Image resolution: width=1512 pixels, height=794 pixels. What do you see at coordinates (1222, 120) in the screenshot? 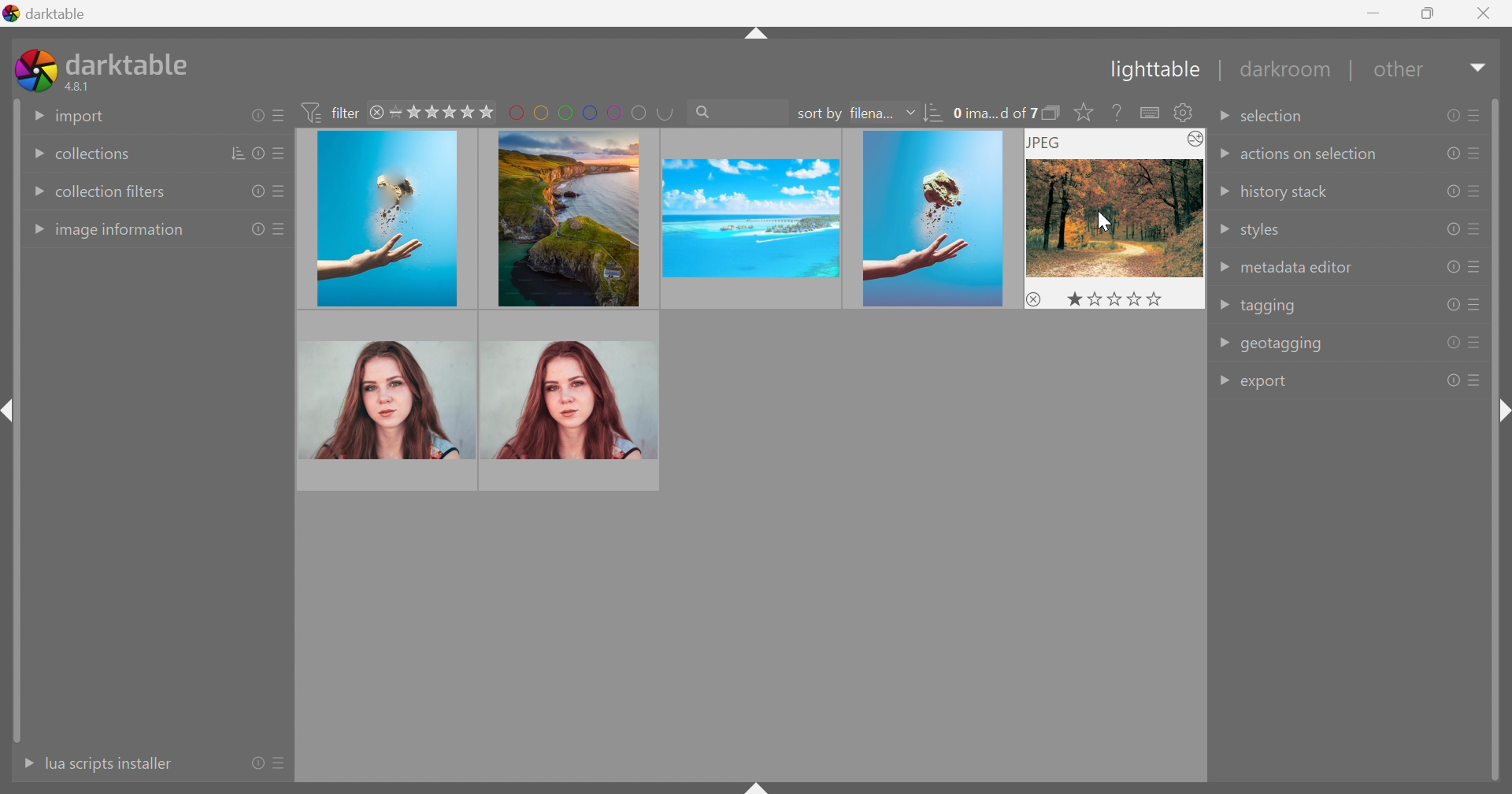
I see `Drop Down` at bounding box center [1222, 120].